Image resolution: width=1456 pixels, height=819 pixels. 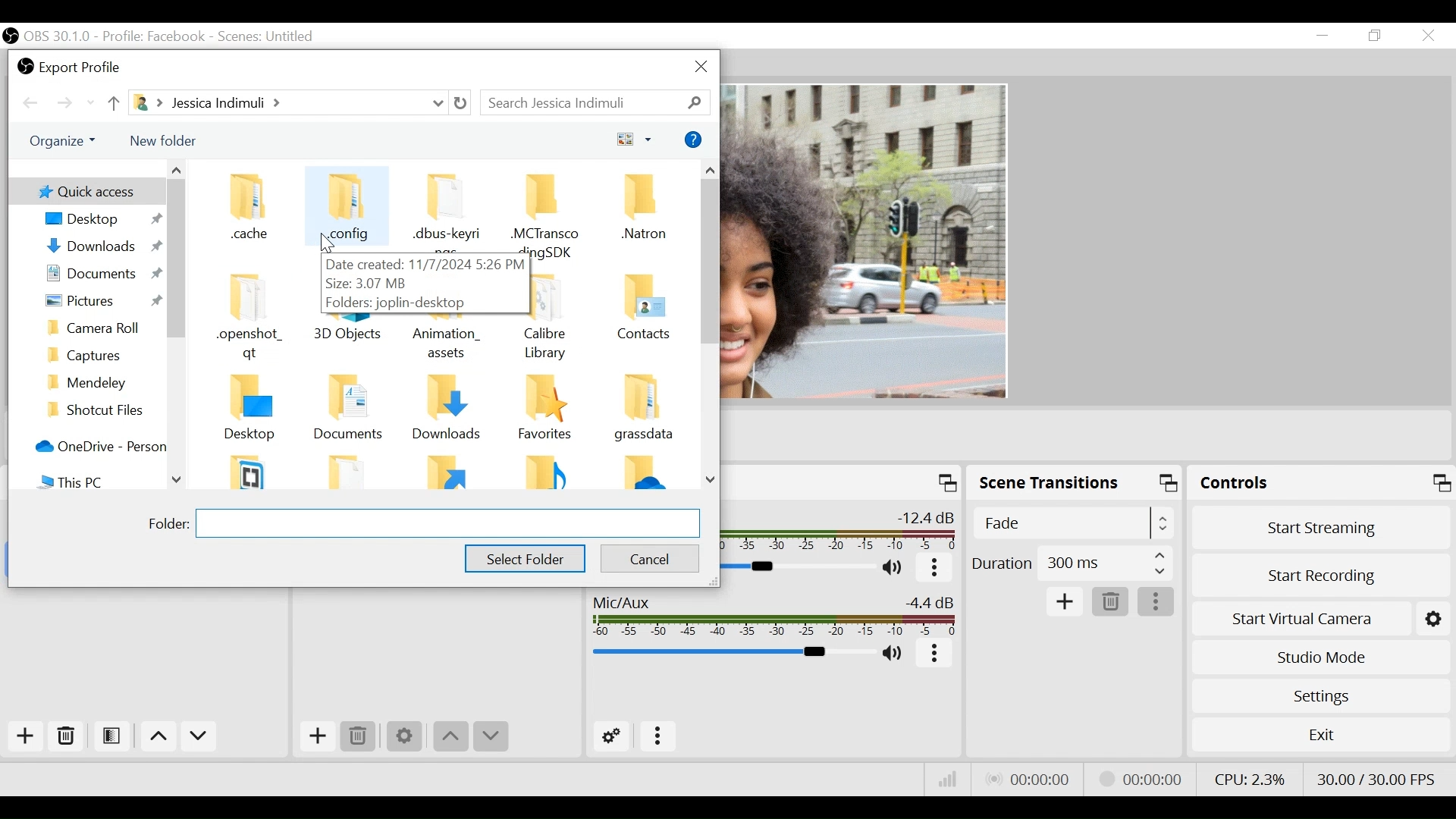 What do you see at coordinates (1156, 601) in the screenshot?
I see `More options` at bounding box center [1156, 601].